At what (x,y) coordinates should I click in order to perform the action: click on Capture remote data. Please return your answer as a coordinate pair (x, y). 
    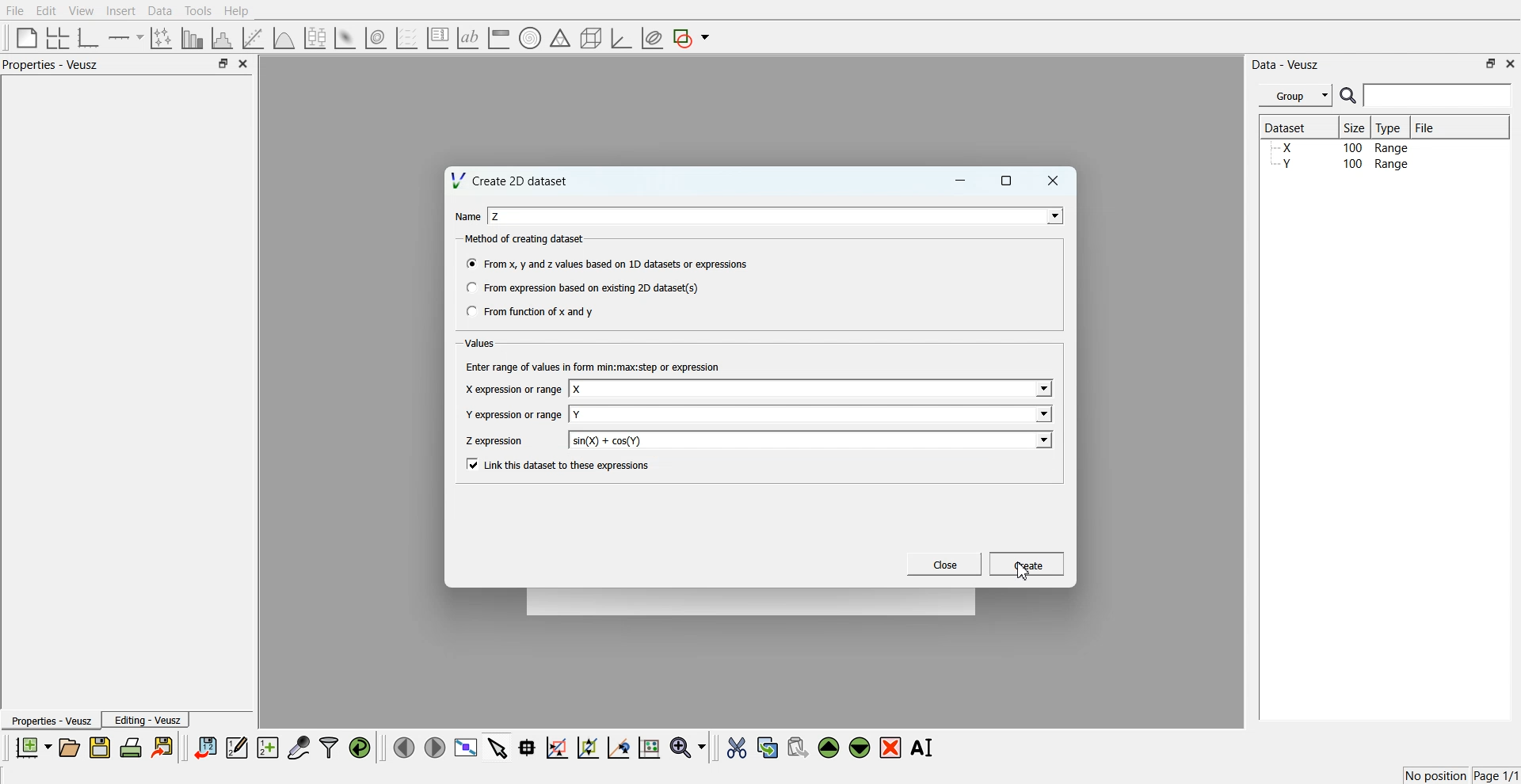
    Looking at the image, I should click on (299, 747).